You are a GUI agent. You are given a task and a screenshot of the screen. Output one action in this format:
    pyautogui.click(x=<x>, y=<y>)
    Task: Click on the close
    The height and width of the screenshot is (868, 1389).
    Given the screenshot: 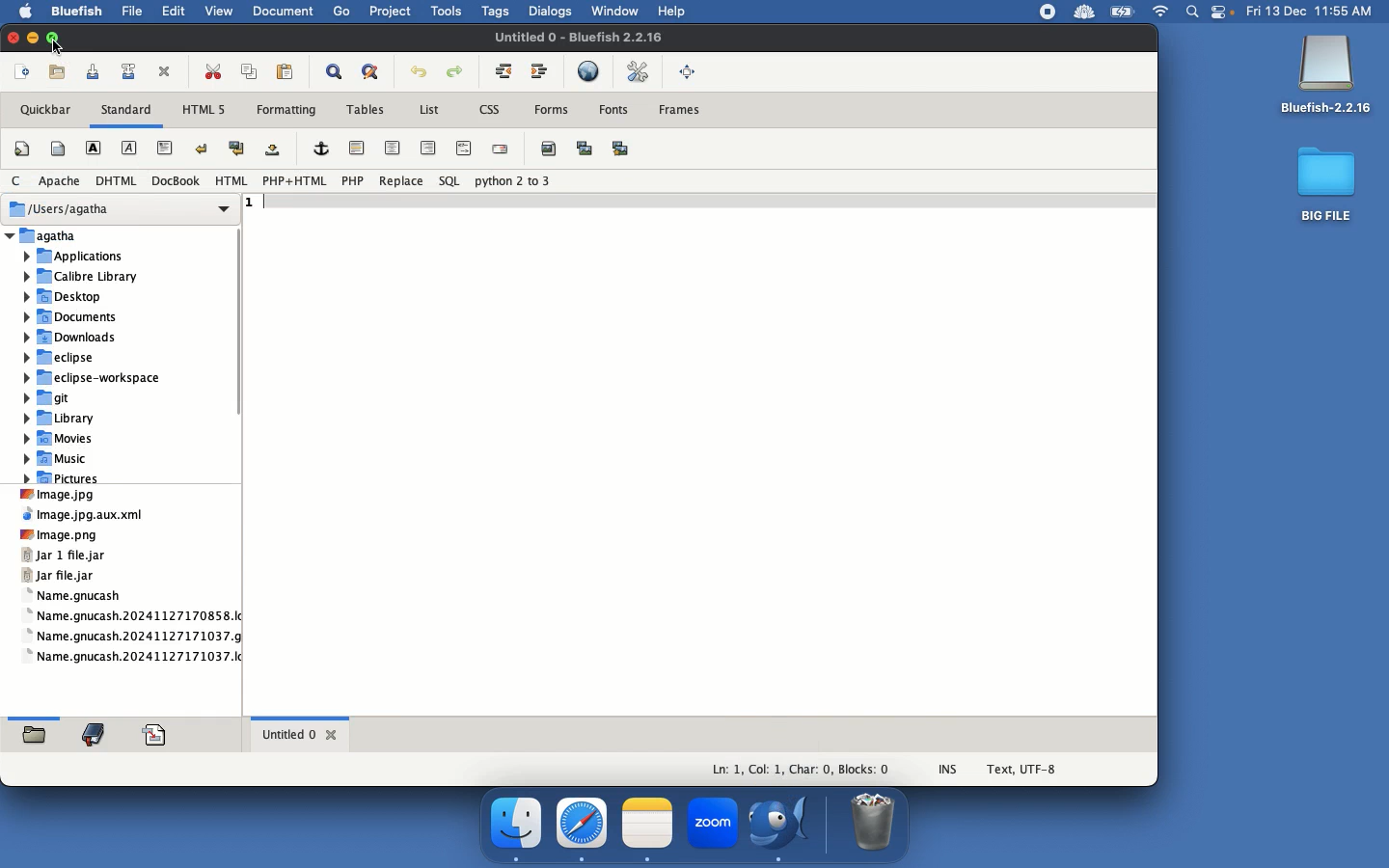 What is the action you would take?
    pyautogui.click(x=11, y=39)
    